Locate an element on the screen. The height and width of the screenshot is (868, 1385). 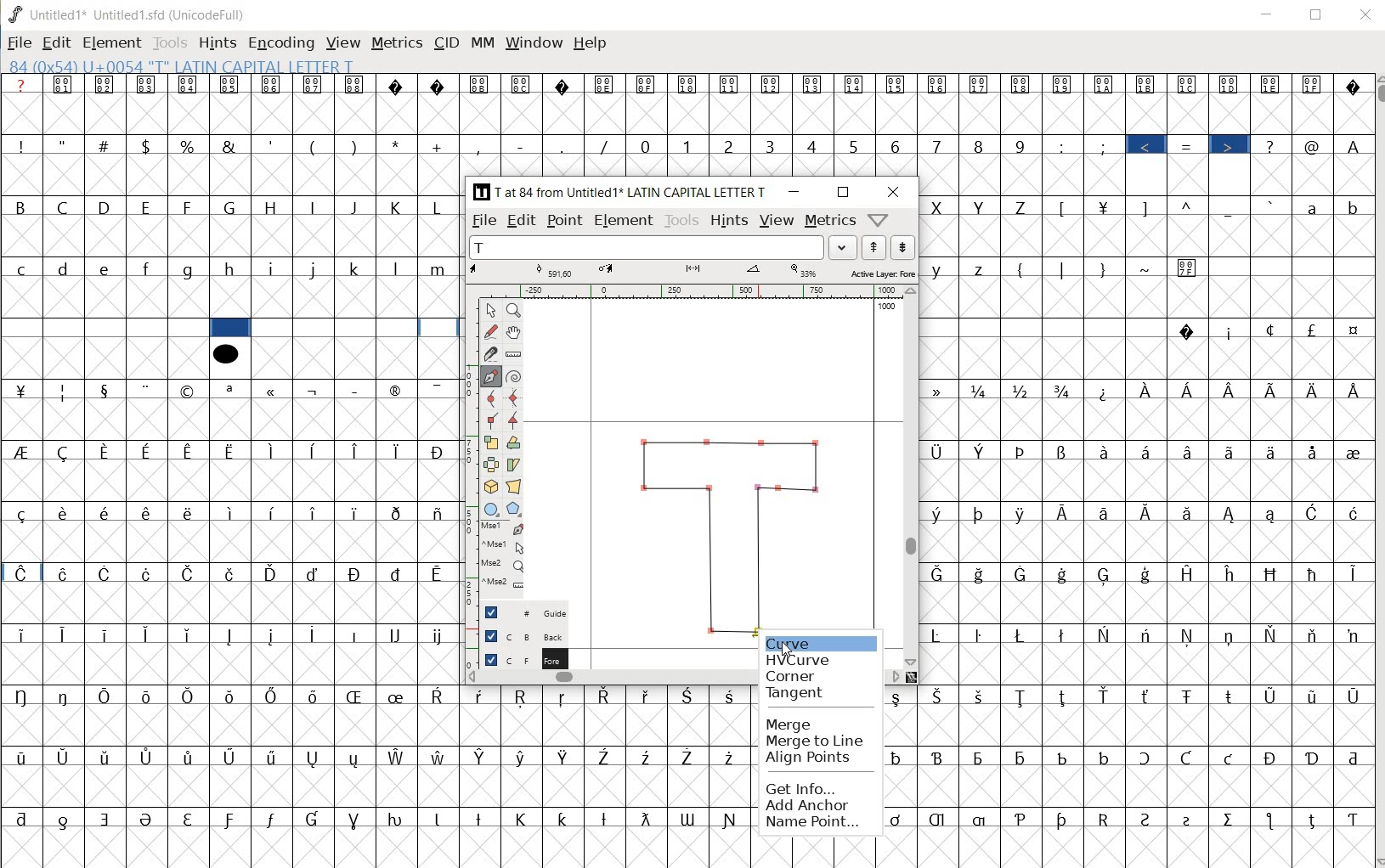
Symbol is located at coordinates (314, 819).